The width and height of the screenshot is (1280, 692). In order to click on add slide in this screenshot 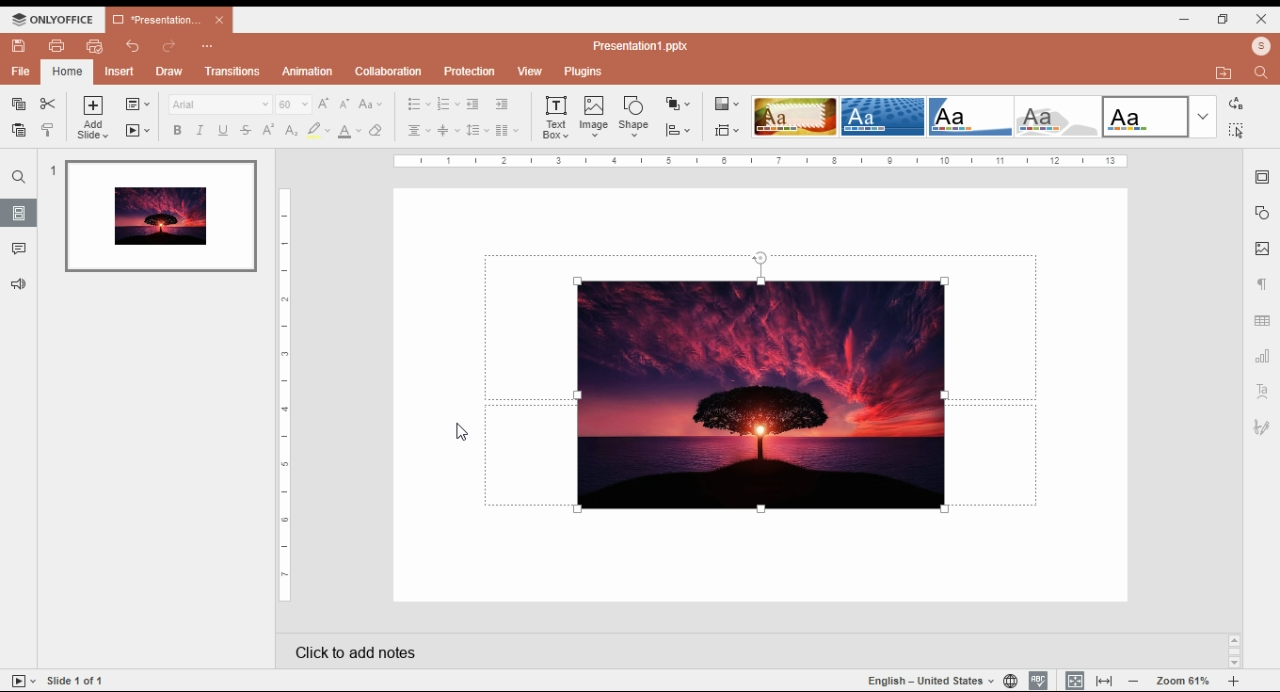, I will do `click(91, 117)`.